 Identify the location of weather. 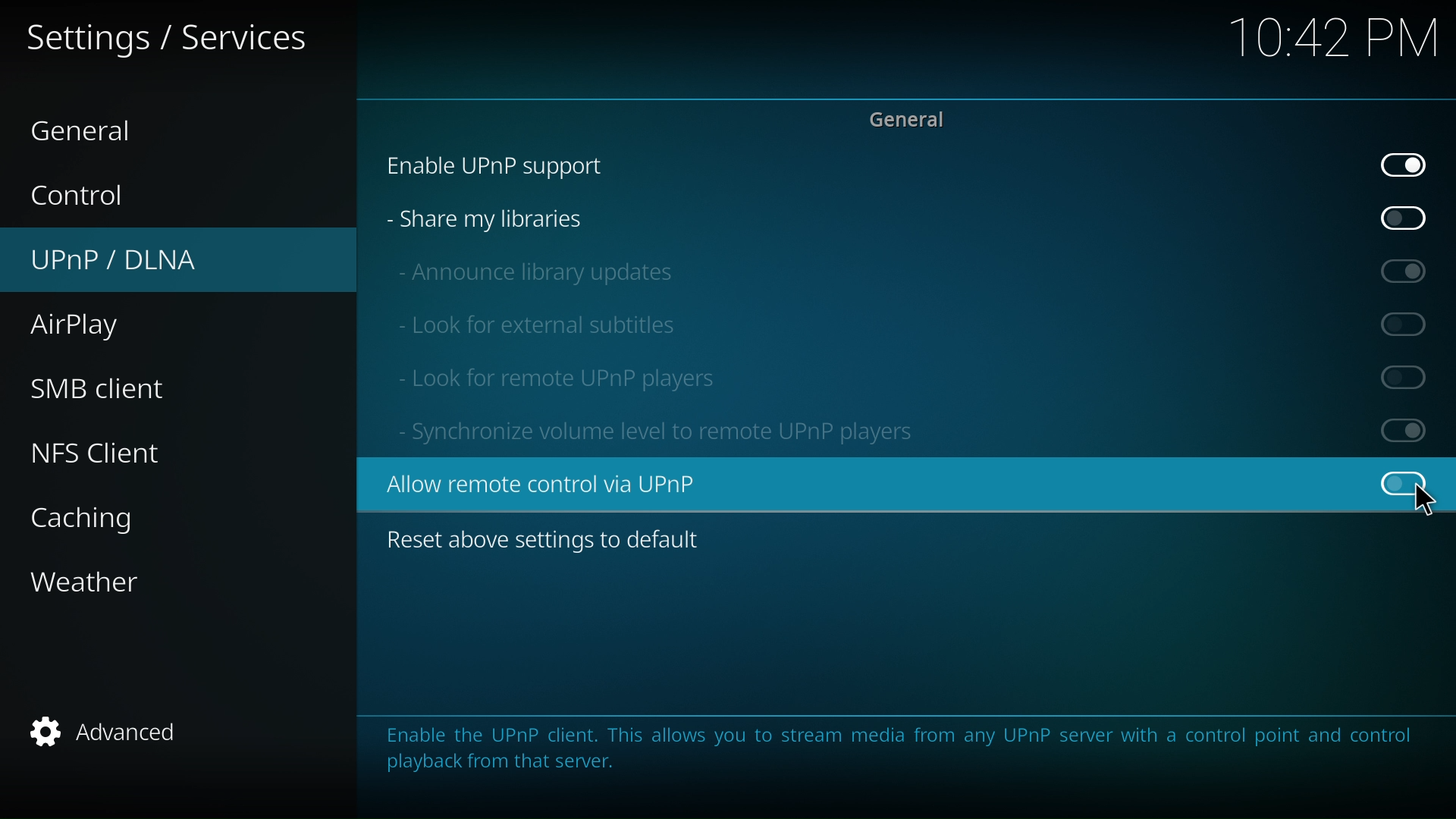
(103, 580).